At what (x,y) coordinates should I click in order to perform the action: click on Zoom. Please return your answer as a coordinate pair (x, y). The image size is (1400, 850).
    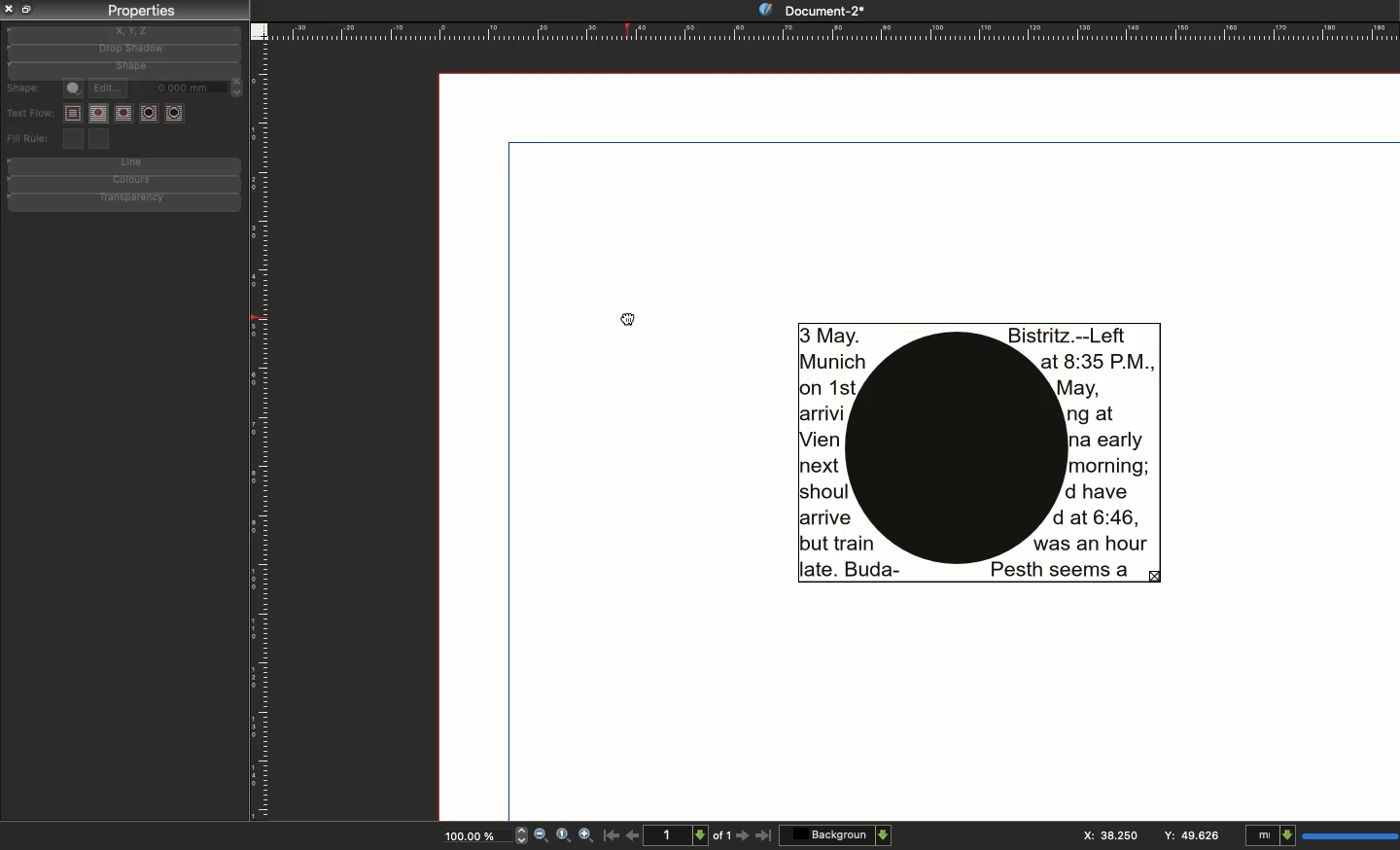
    Looking at the image, I should click on (563, 837).